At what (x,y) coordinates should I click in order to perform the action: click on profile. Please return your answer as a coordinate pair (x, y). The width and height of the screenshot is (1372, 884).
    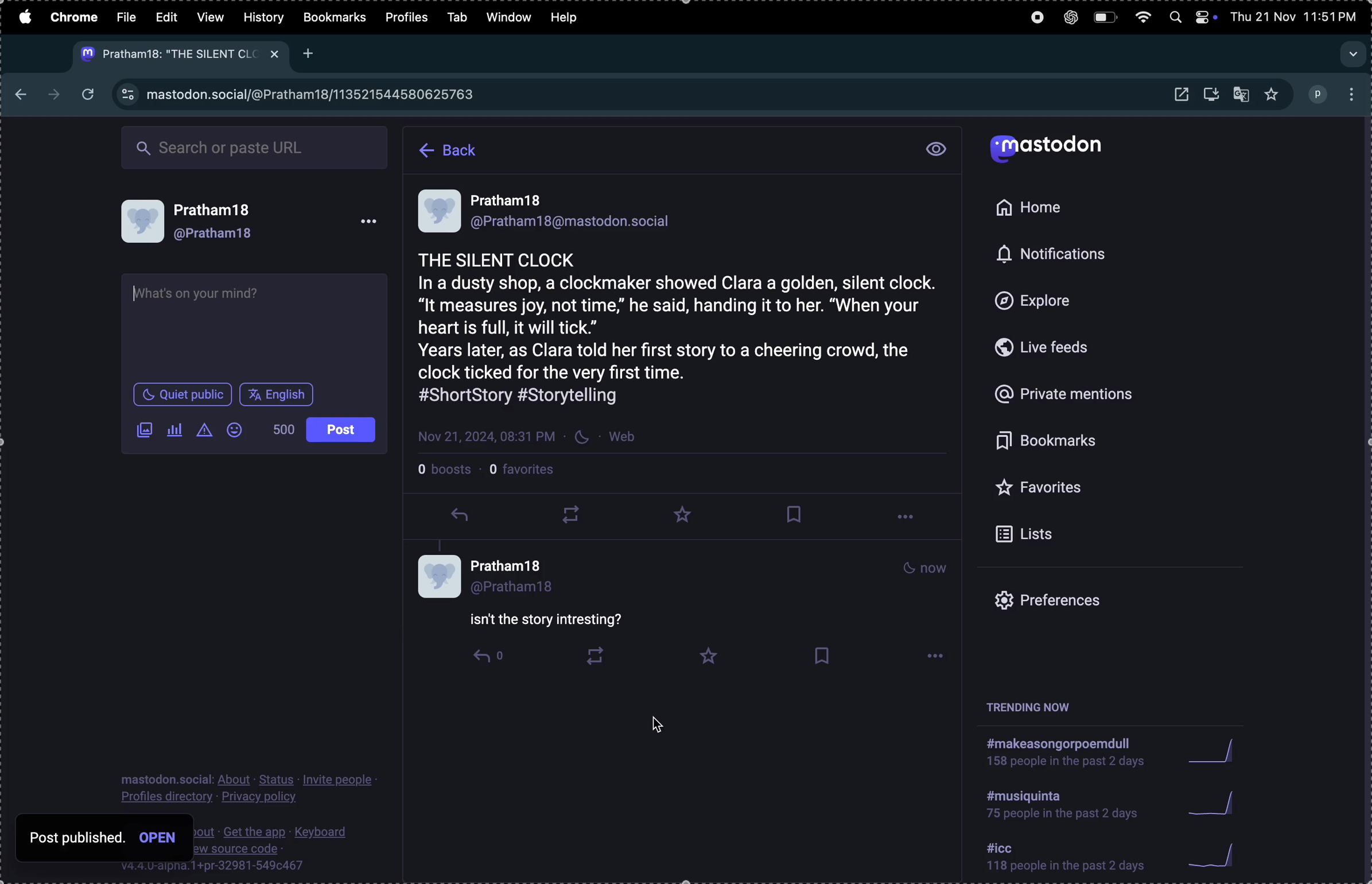
    Looking at the image, I should click on (409, 18).